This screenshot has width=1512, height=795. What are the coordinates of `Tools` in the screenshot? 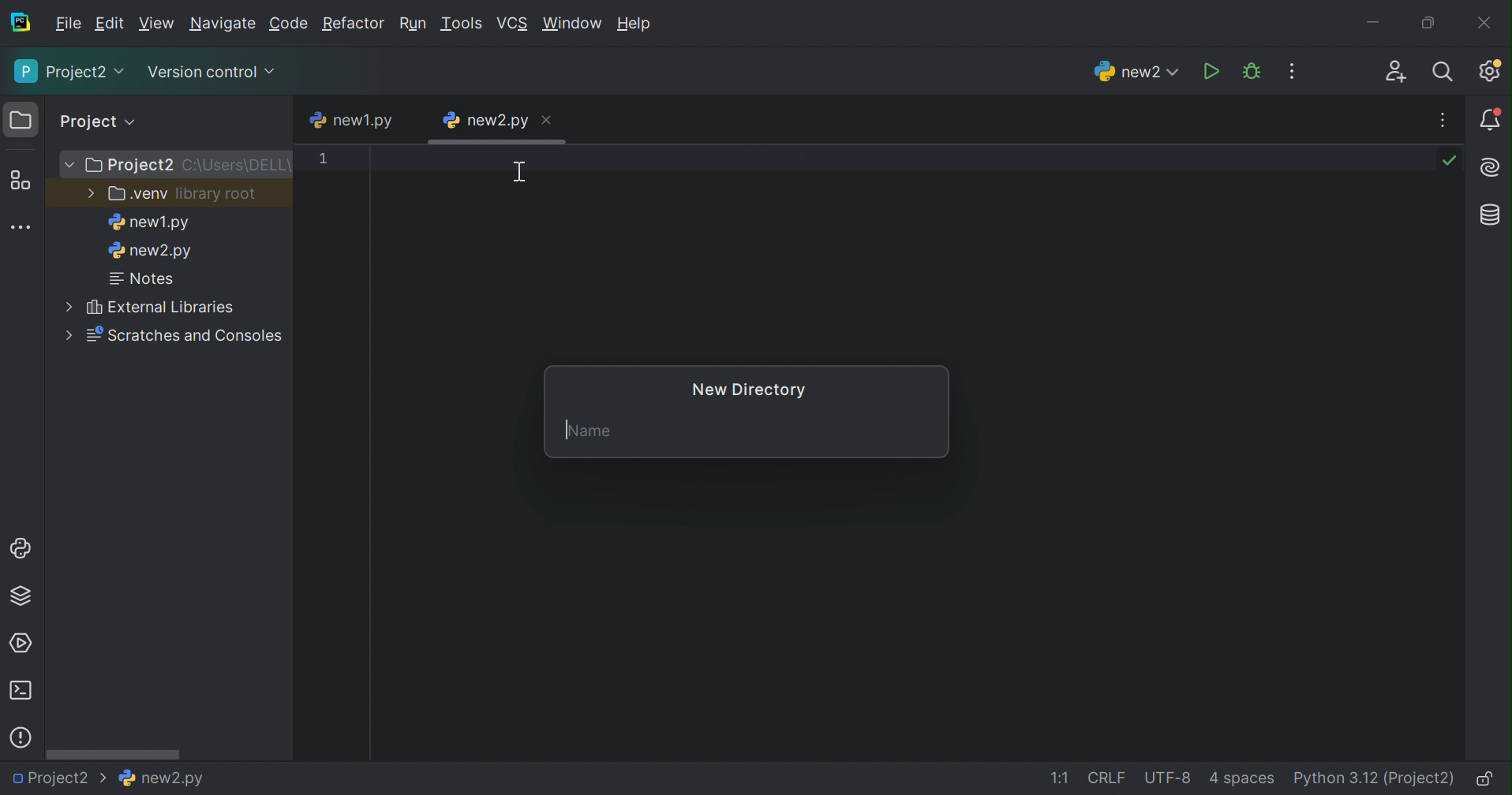 It's located at (464, 24).